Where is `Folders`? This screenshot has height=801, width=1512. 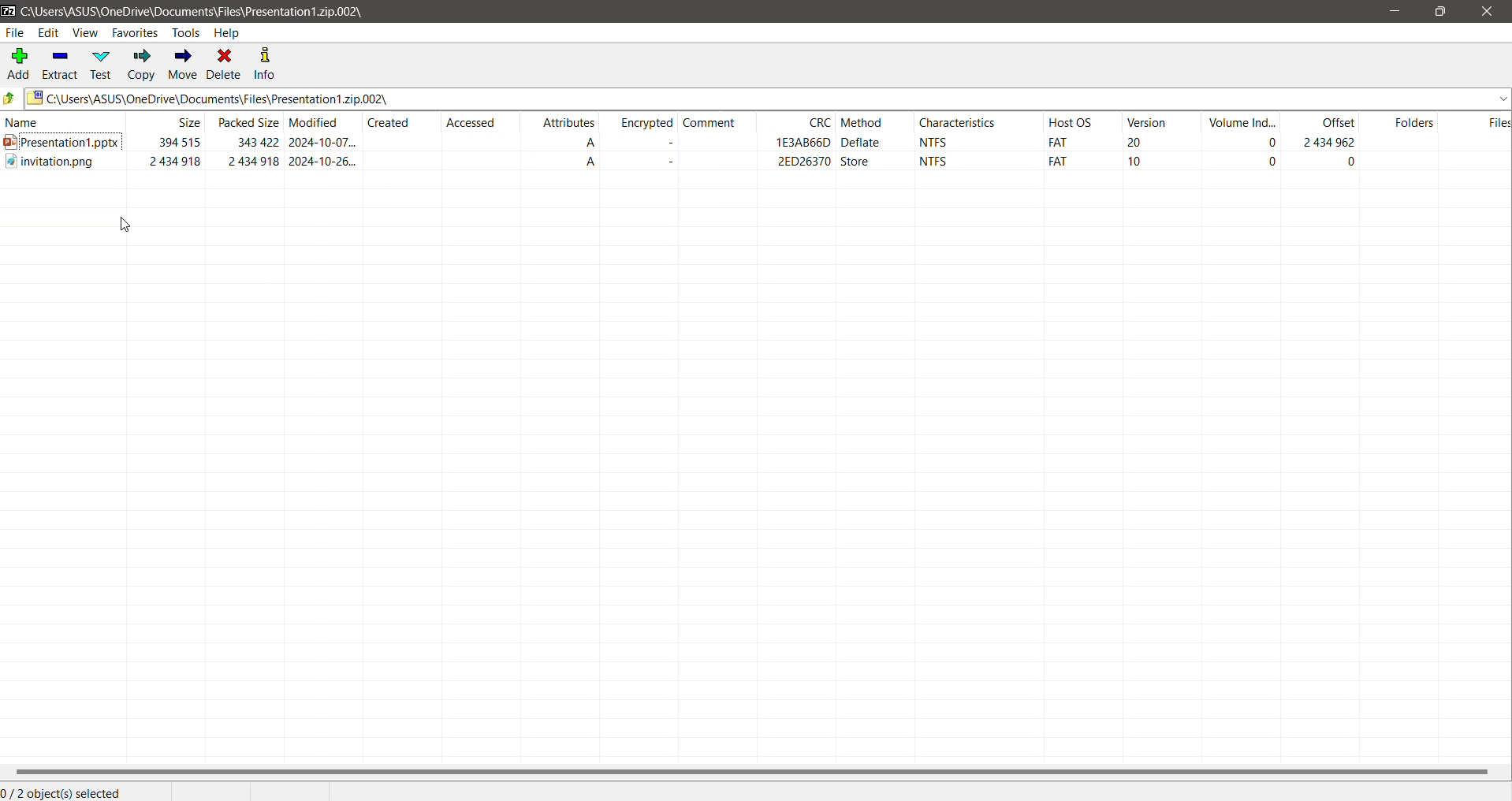
Folders is located at coordinates (1412, 121).